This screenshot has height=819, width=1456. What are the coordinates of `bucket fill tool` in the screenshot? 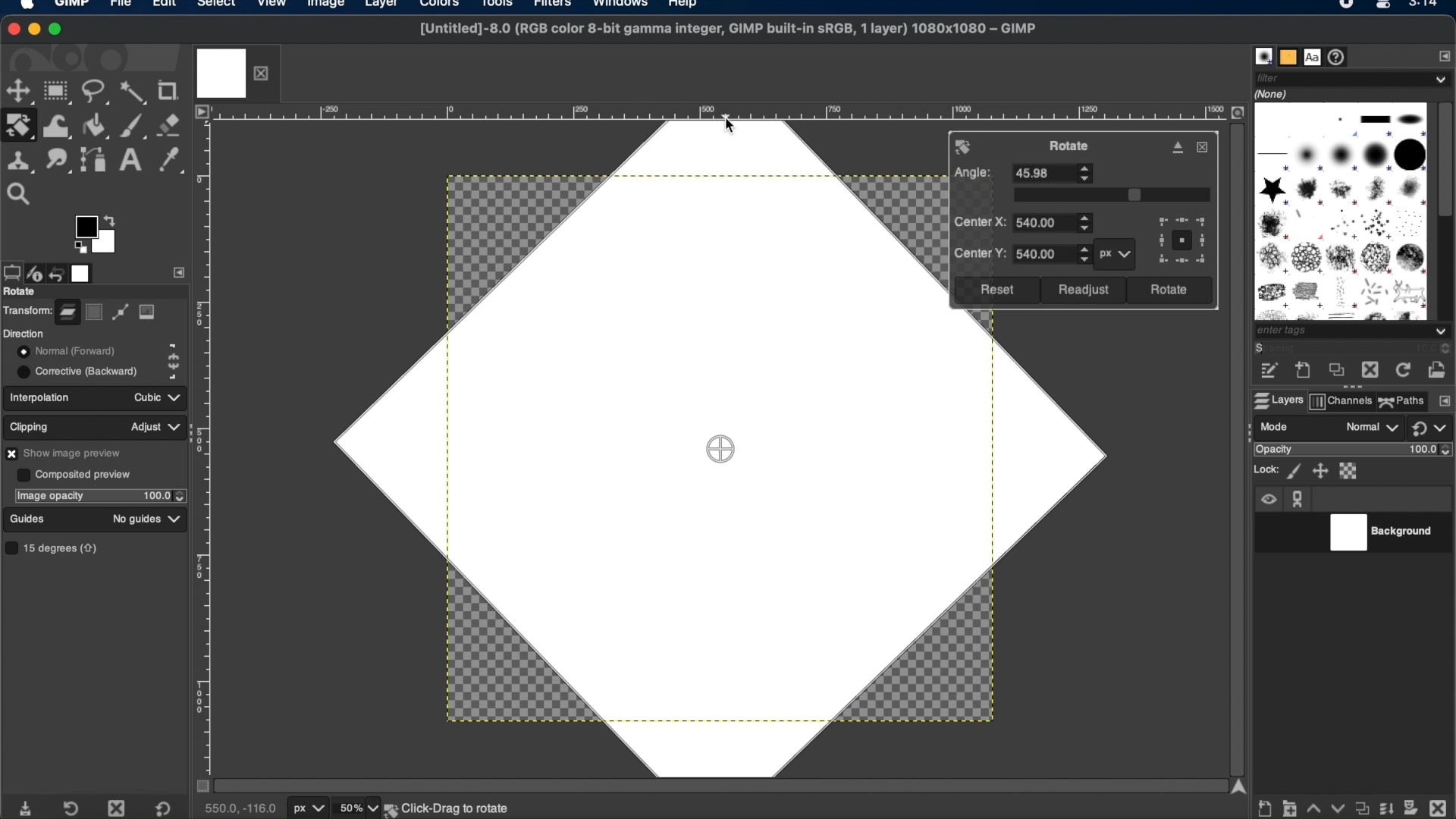 It's located at (96, 125).